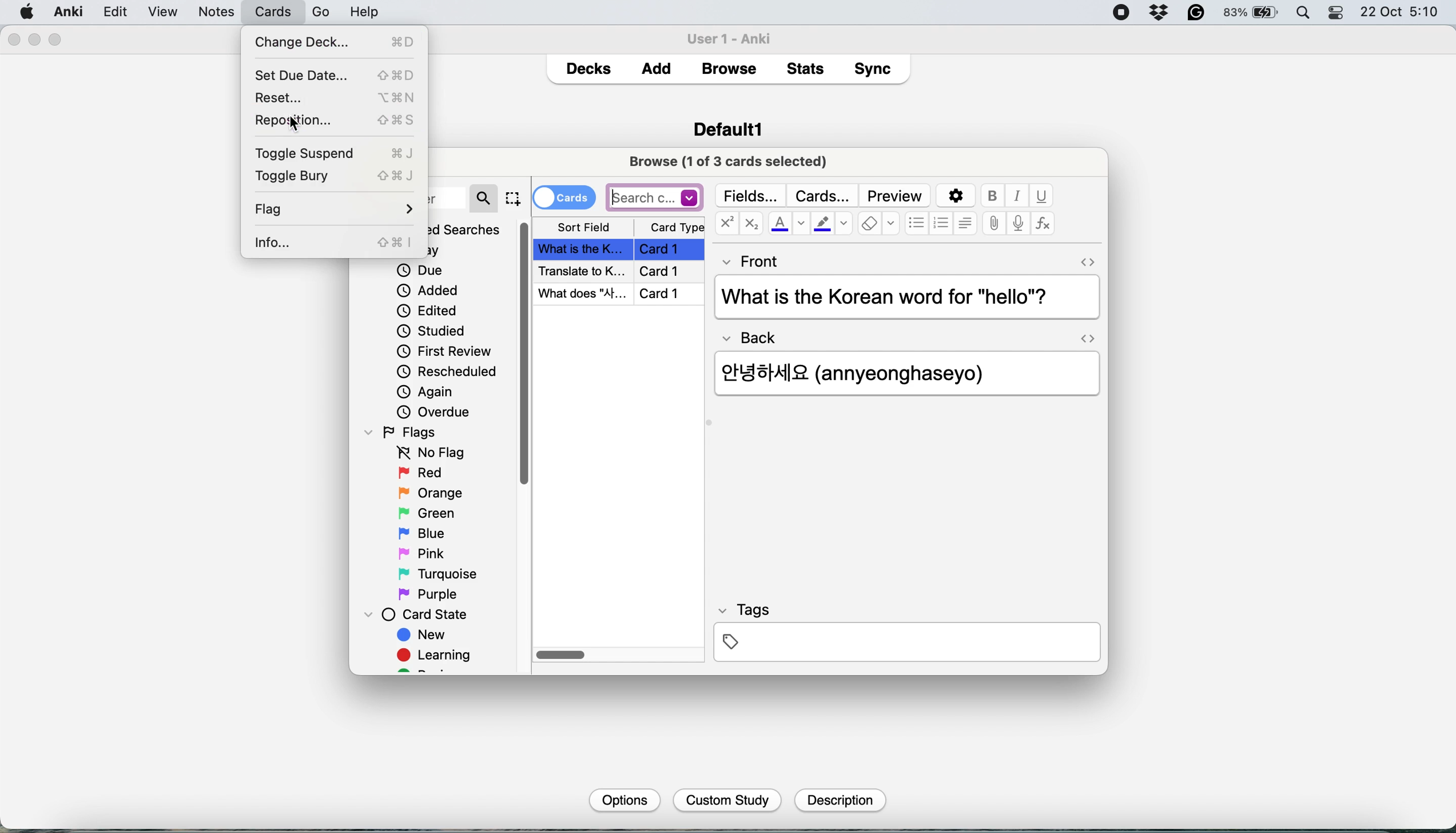 The height and width of the screenshot is (833, 1456). I want to click on new, so click(423, 636).